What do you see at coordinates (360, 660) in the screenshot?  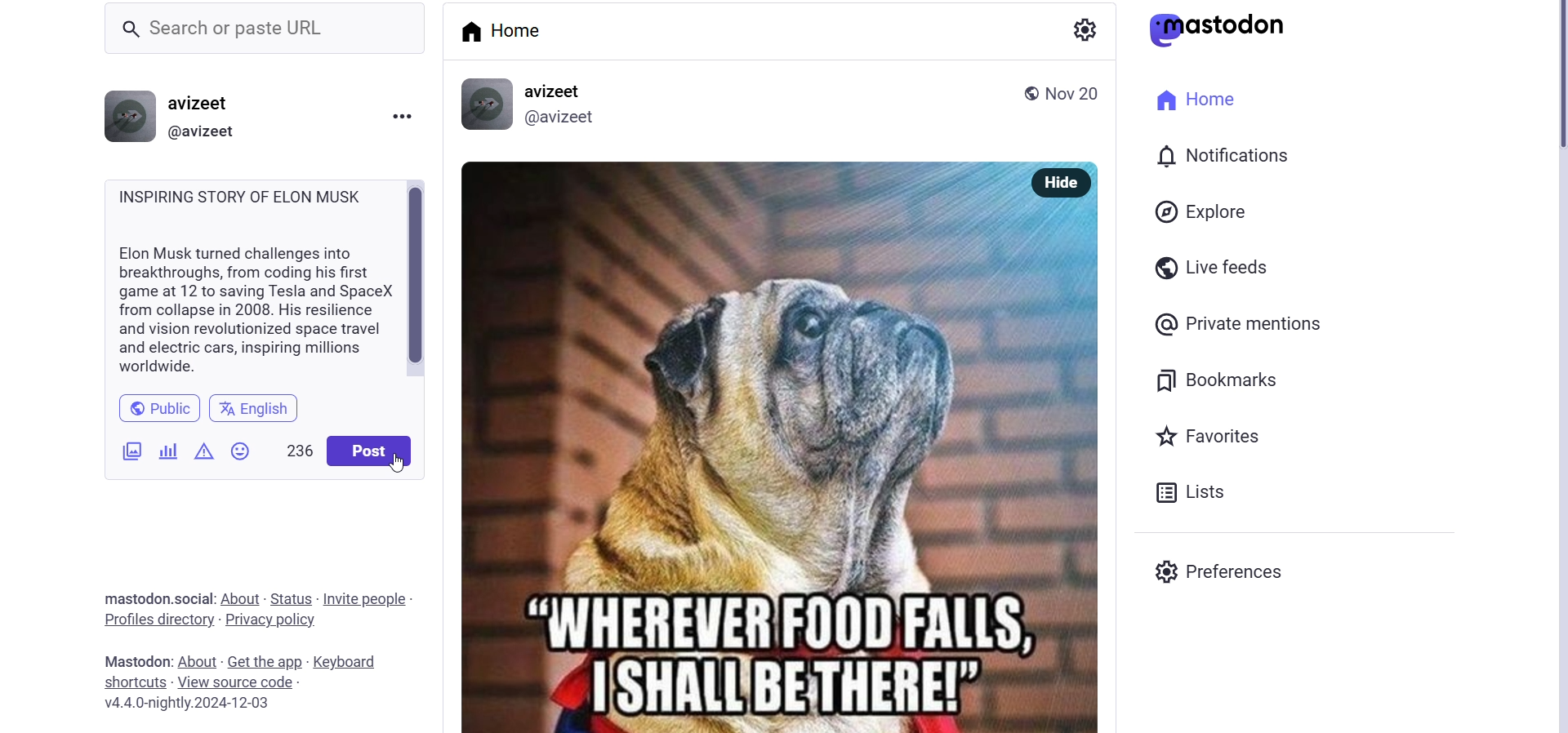 I see `Keyboard` at bounding box center [360, 660].